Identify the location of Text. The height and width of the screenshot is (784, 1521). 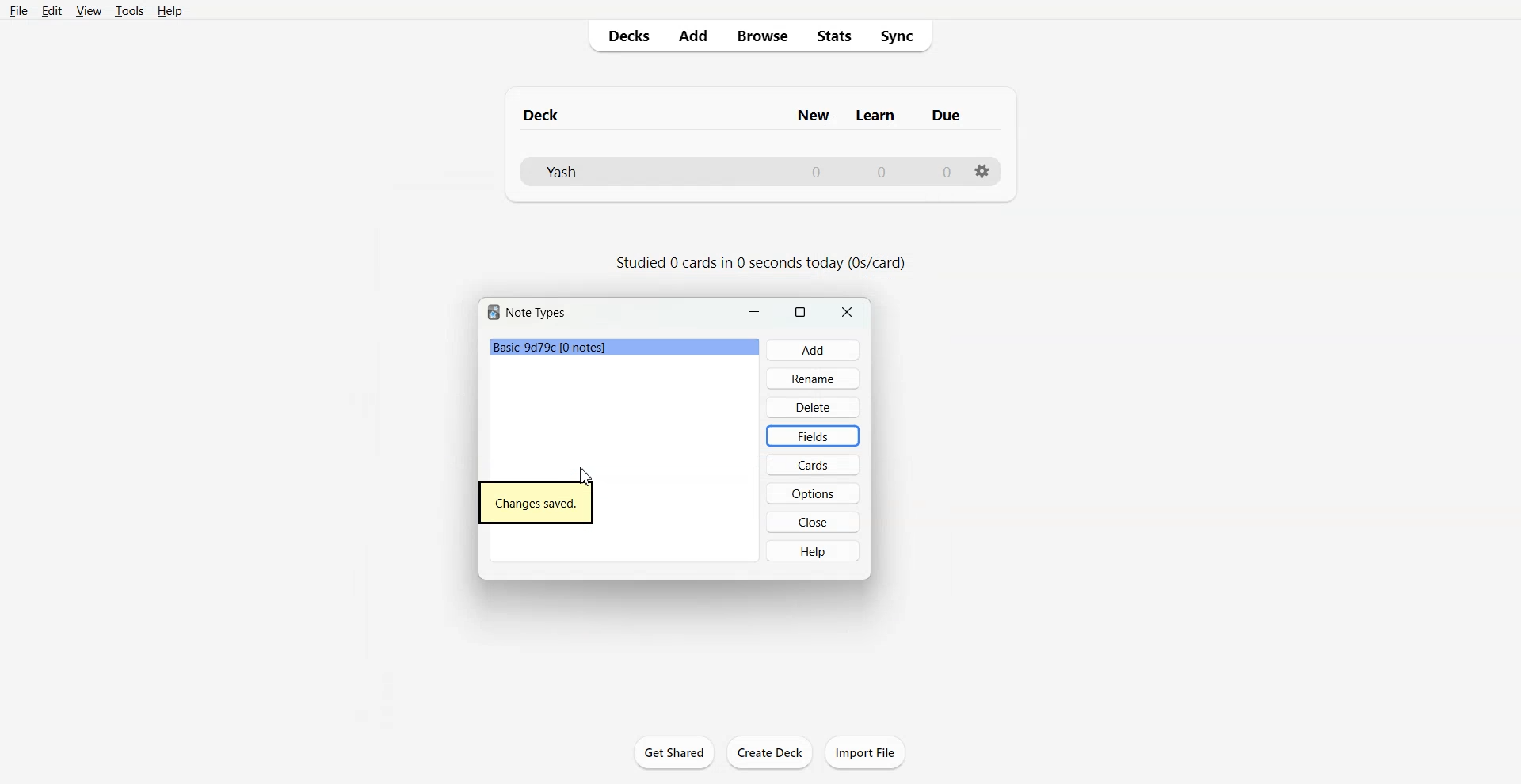
(536, 503).